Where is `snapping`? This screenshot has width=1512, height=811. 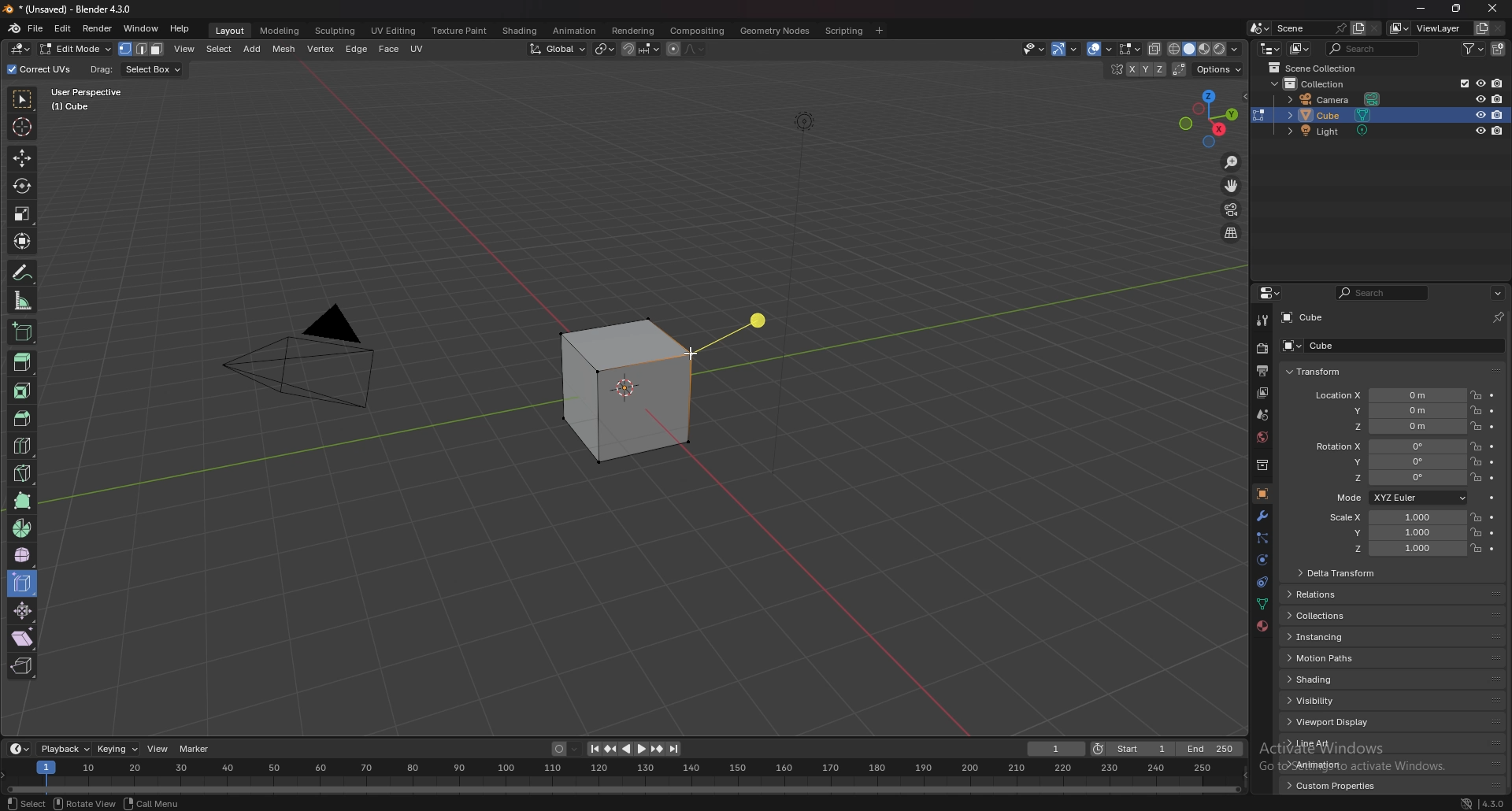 snapping is located at coordinates (641, 49).